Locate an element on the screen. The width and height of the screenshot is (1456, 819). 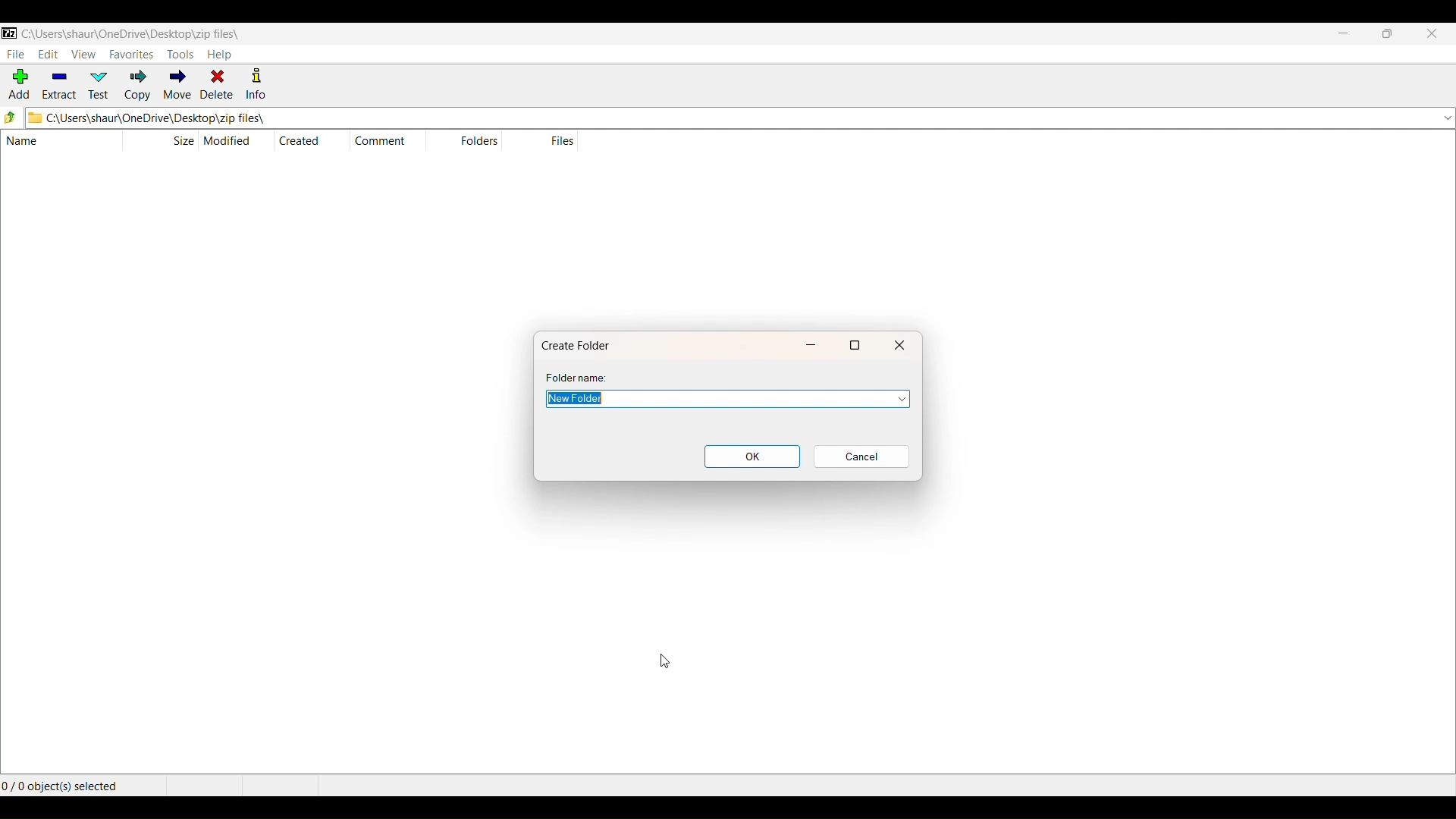
MODIFIED is located at coordinates (231, 140).